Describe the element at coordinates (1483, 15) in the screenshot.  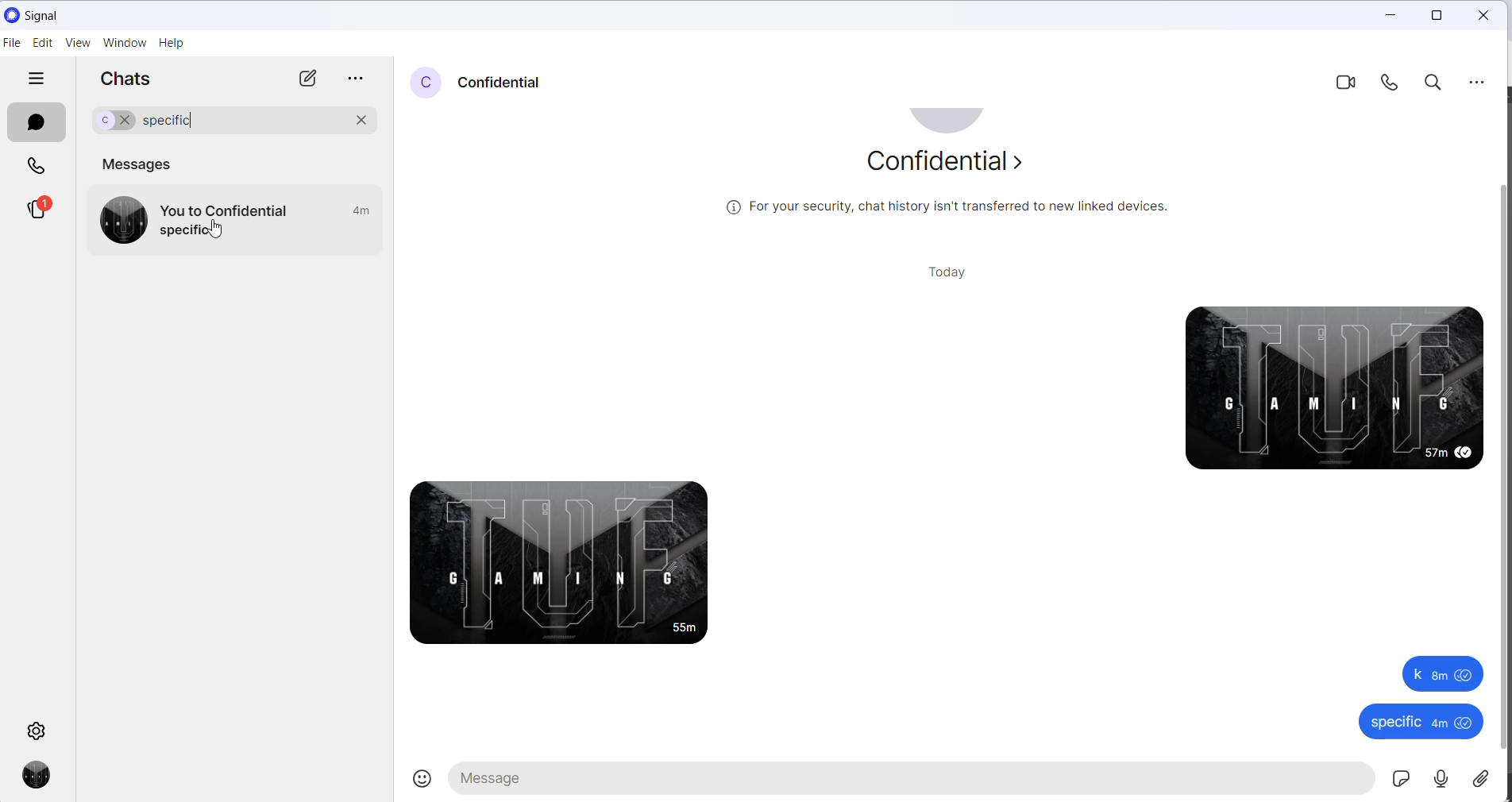
I see `close` at that location.